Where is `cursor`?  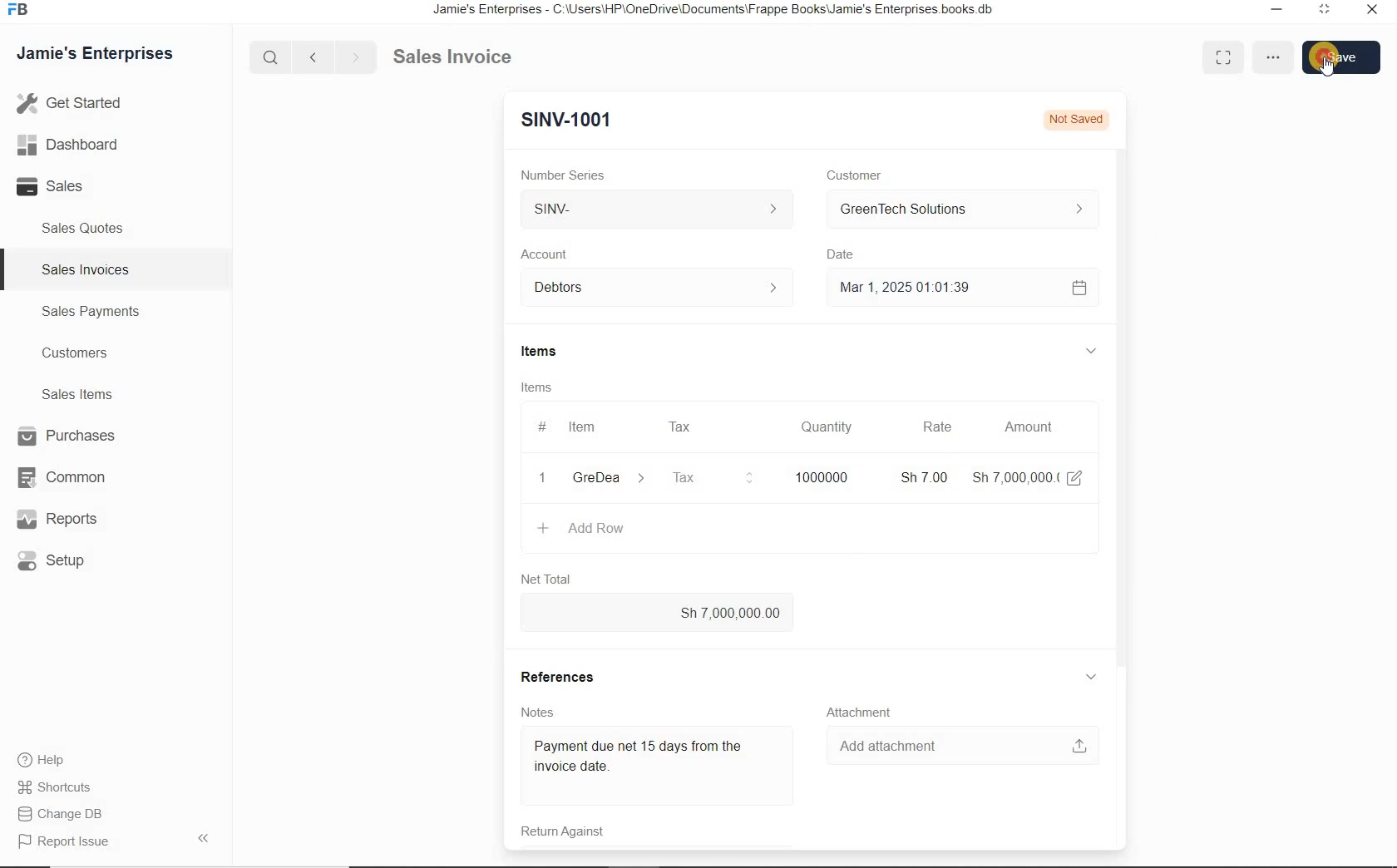
cursor is located at coordinates (1326, 72).